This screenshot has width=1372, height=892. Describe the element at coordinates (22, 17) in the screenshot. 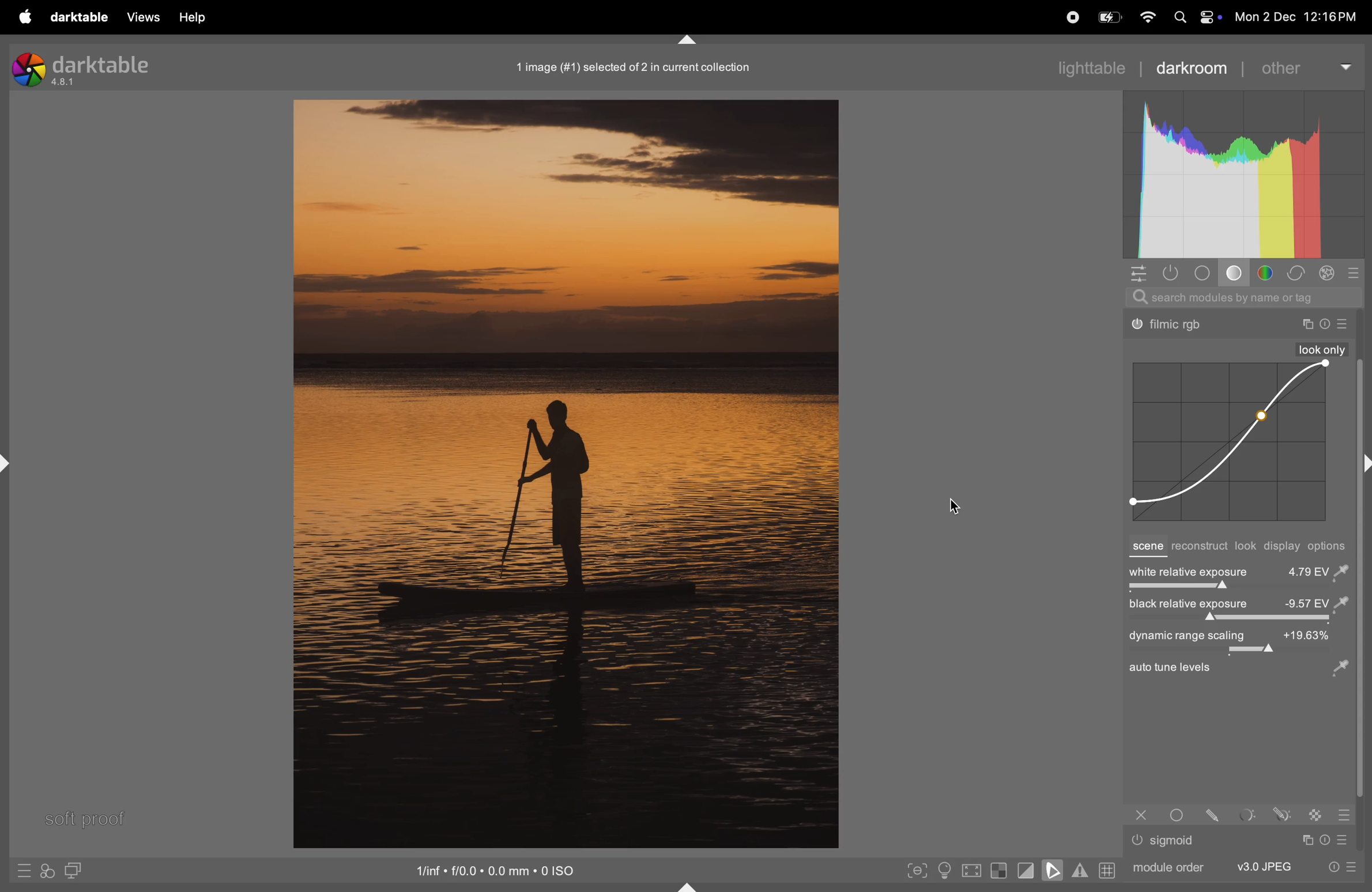

I see `apple menu` at that location.